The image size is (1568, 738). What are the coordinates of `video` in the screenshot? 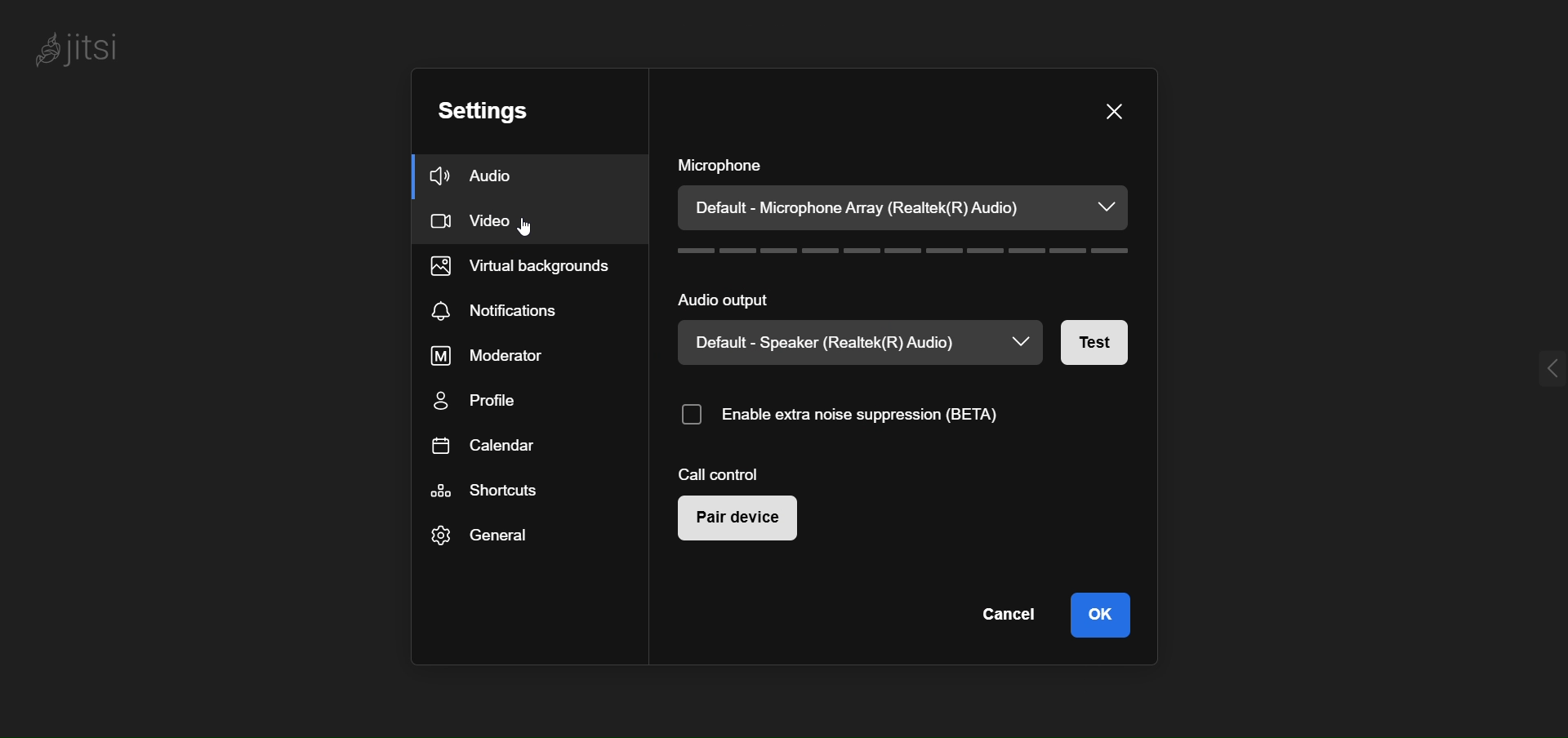 It's located at (490, 224).